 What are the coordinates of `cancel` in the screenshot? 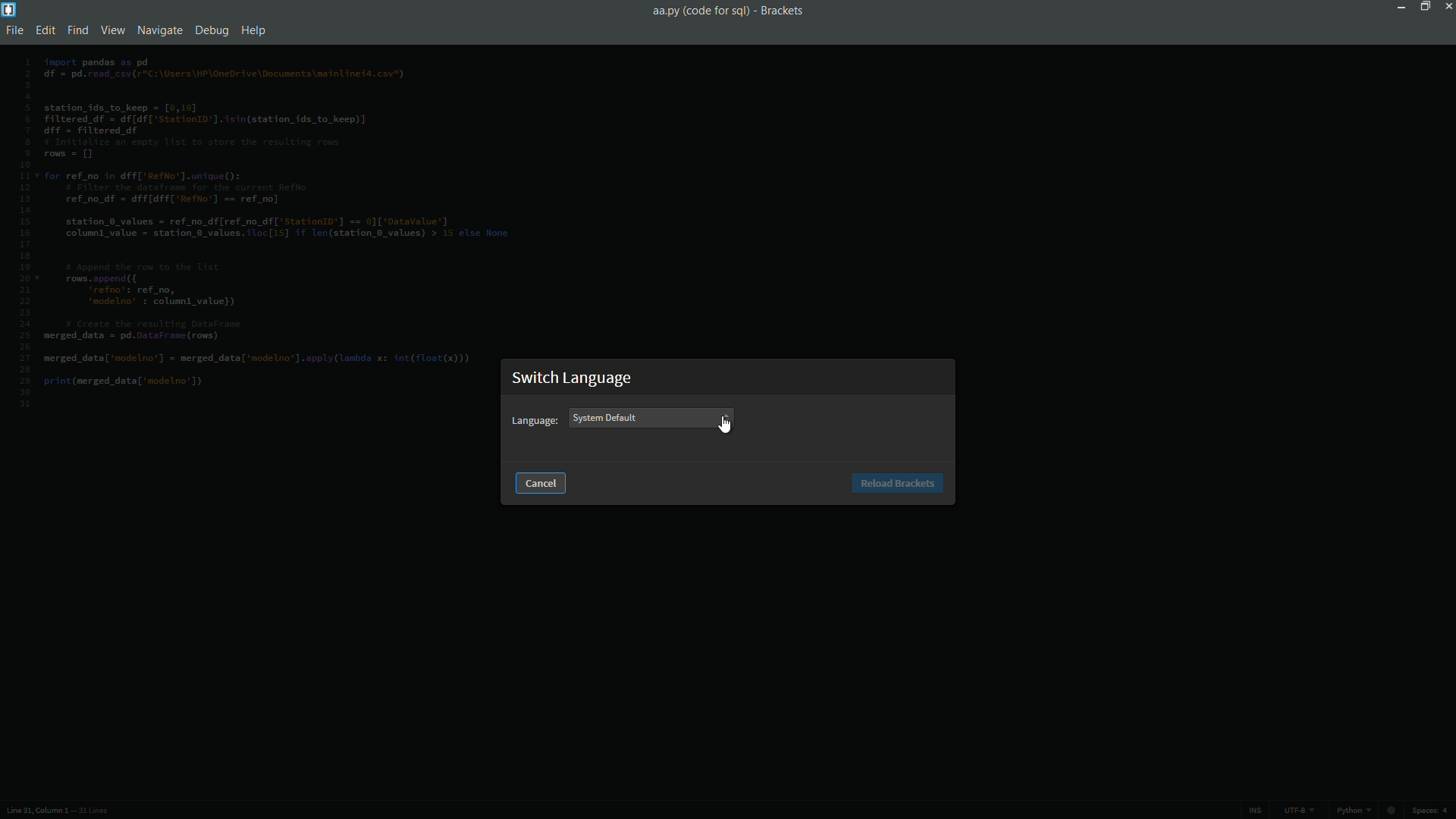 It's located at (542, 484).